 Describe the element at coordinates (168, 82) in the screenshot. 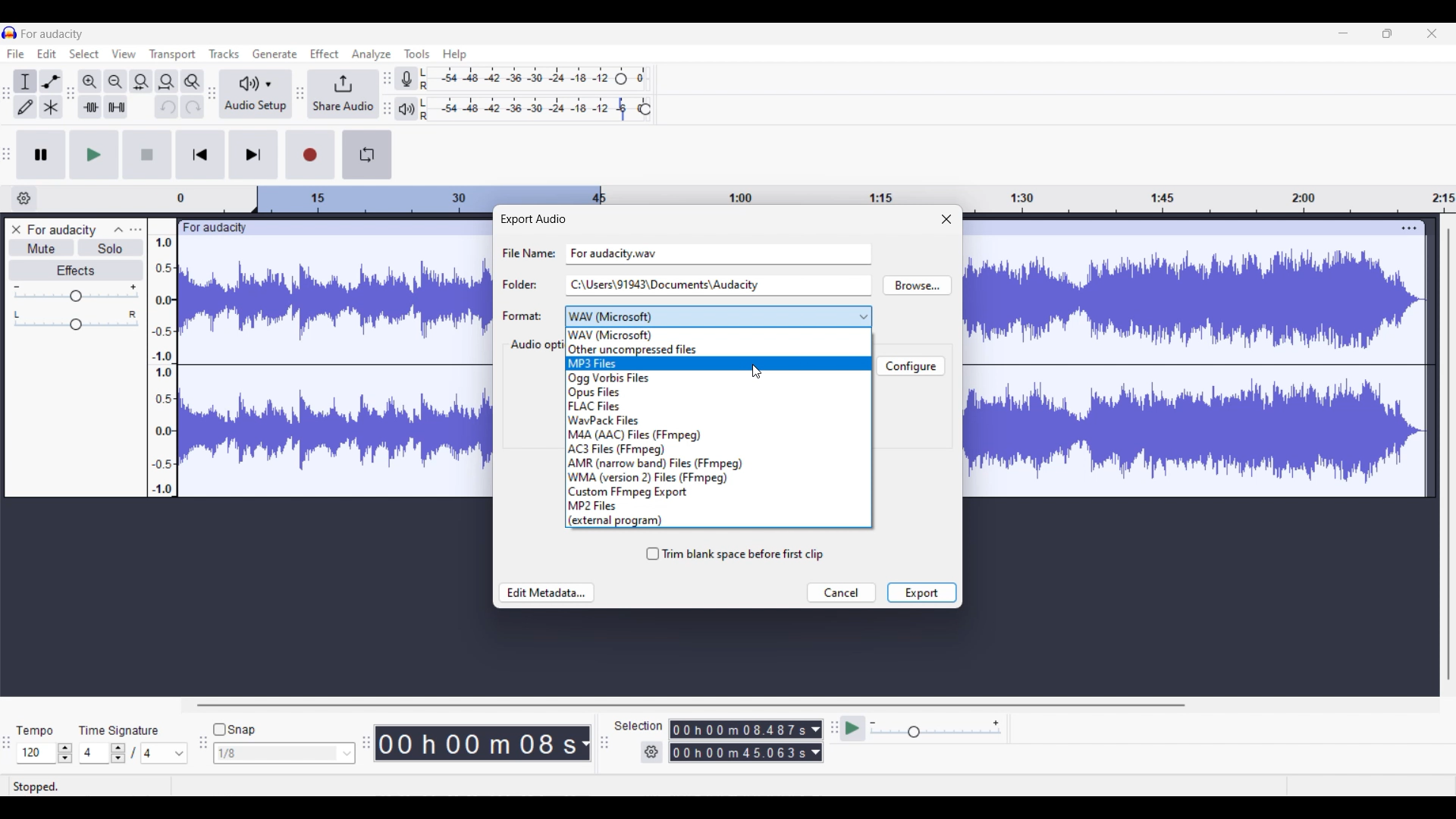

I see `Fit project to width` at that location.